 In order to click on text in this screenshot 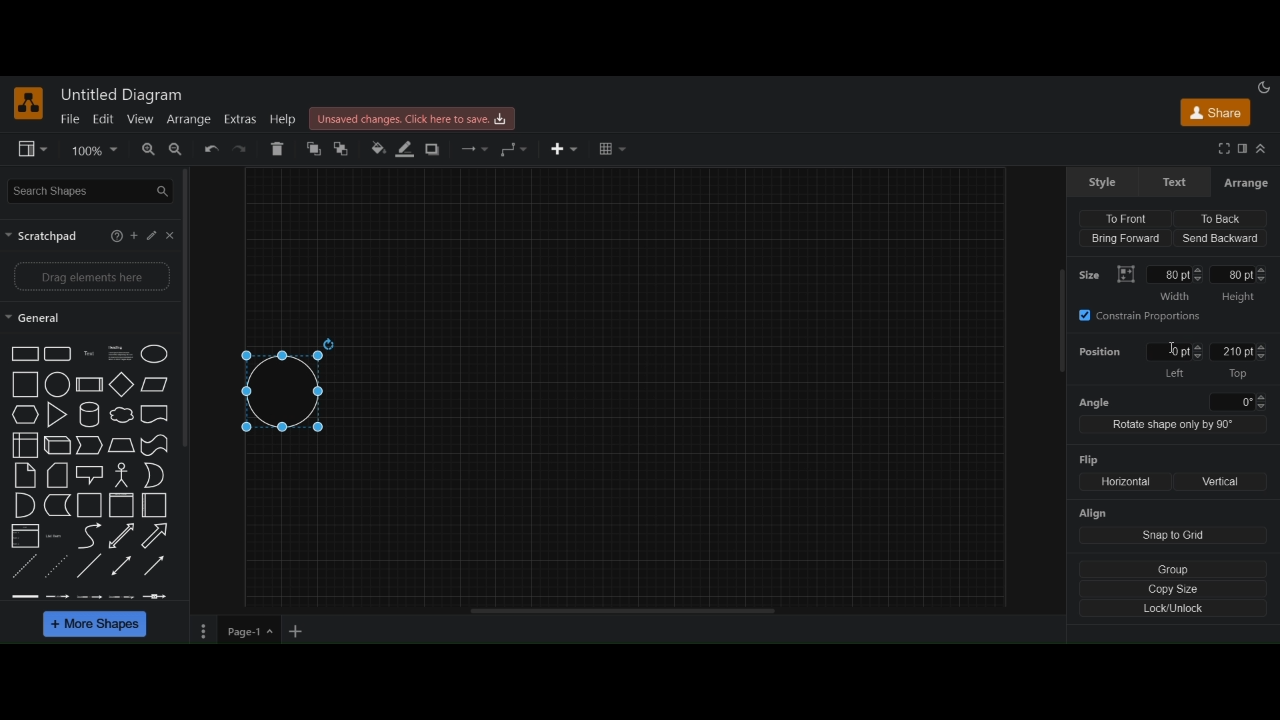, I will do `click(57, 536)`.